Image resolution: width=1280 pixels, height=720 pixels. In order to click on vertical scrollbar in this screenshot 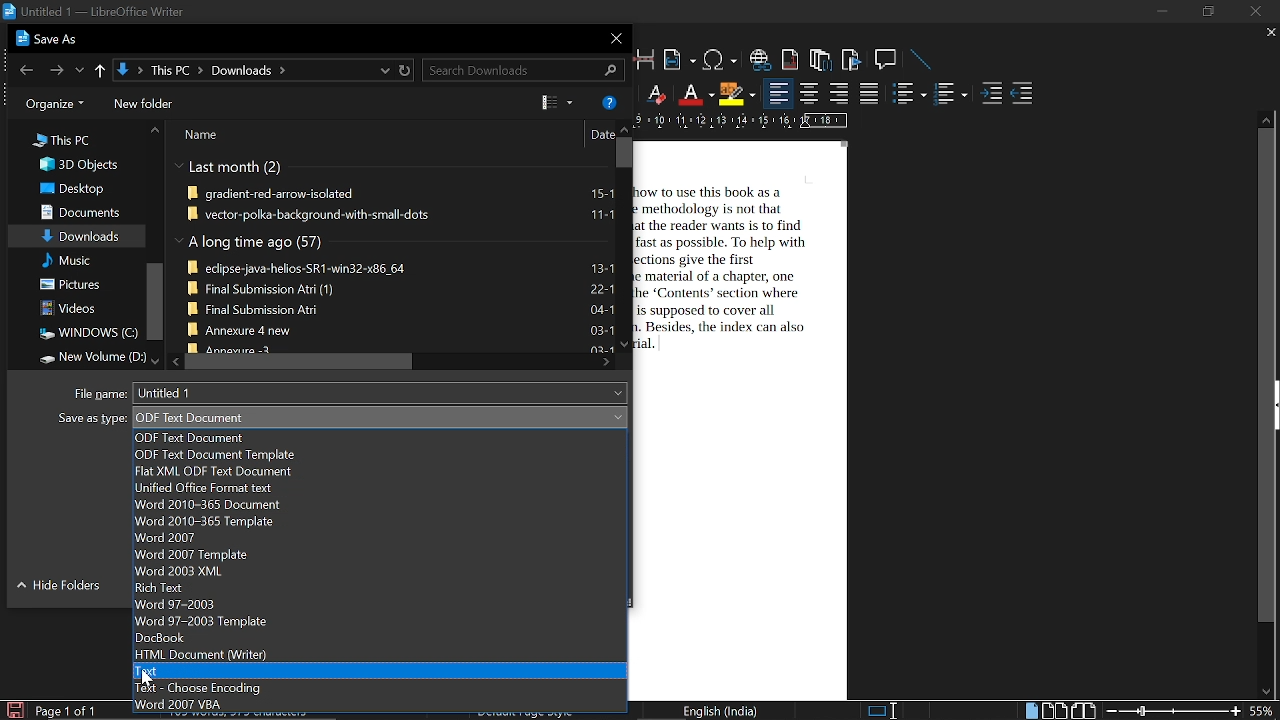, I will do `click(153, 303)`.